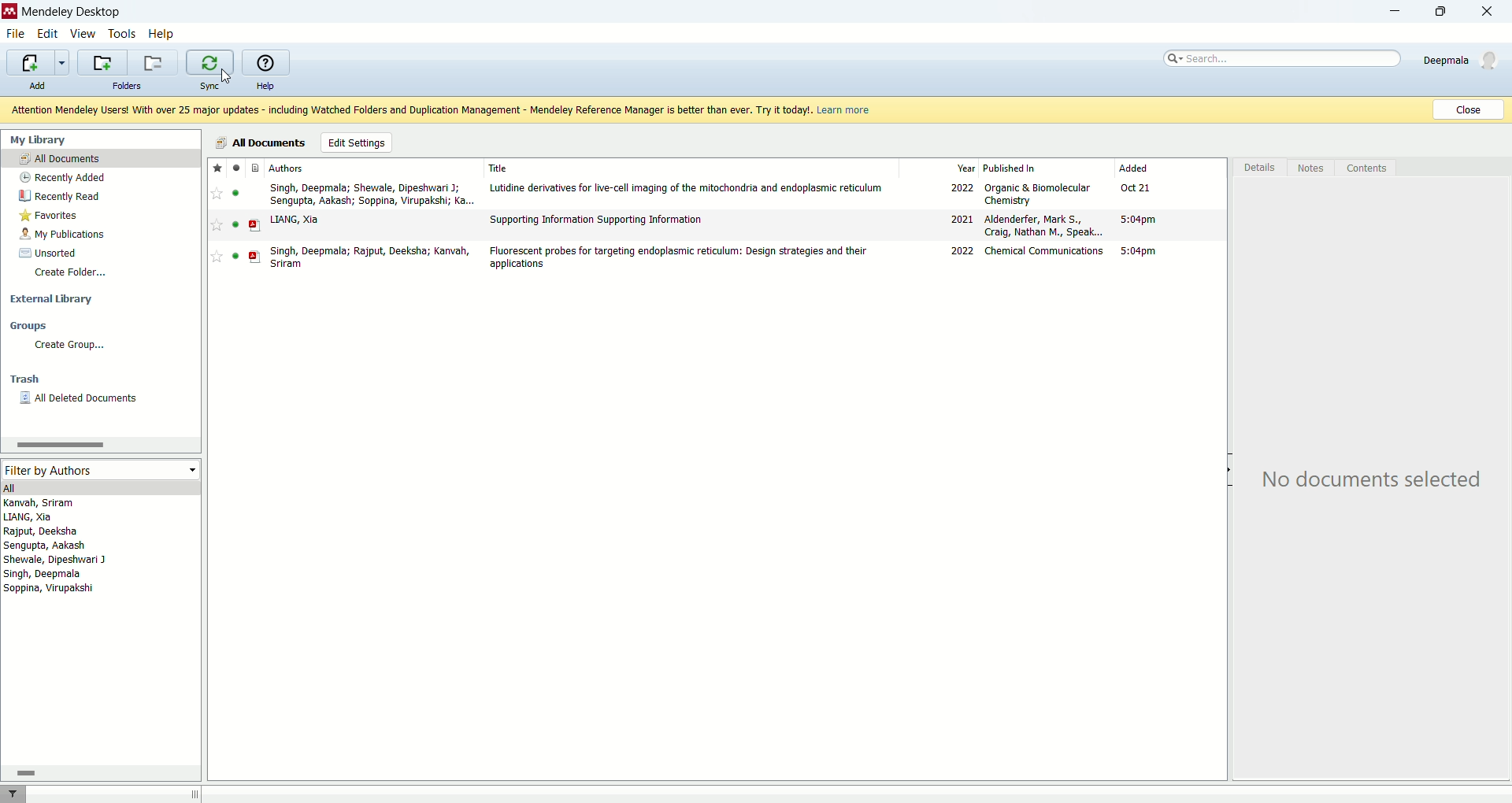 The height and width of the screenshot is (803, 1512). Describe the element at coordinates (122, 33) in the screenshot. I see `tools` at that location.